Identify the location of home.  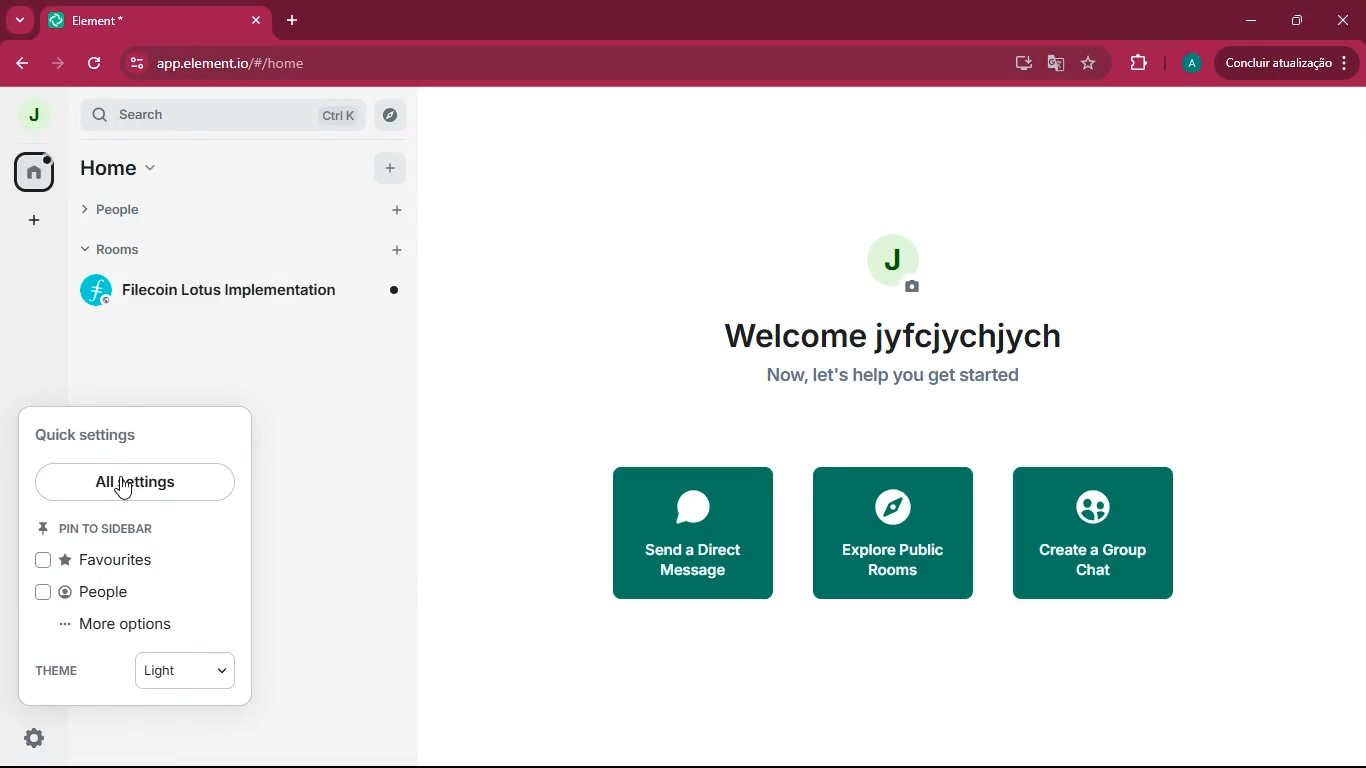
(217, 170).